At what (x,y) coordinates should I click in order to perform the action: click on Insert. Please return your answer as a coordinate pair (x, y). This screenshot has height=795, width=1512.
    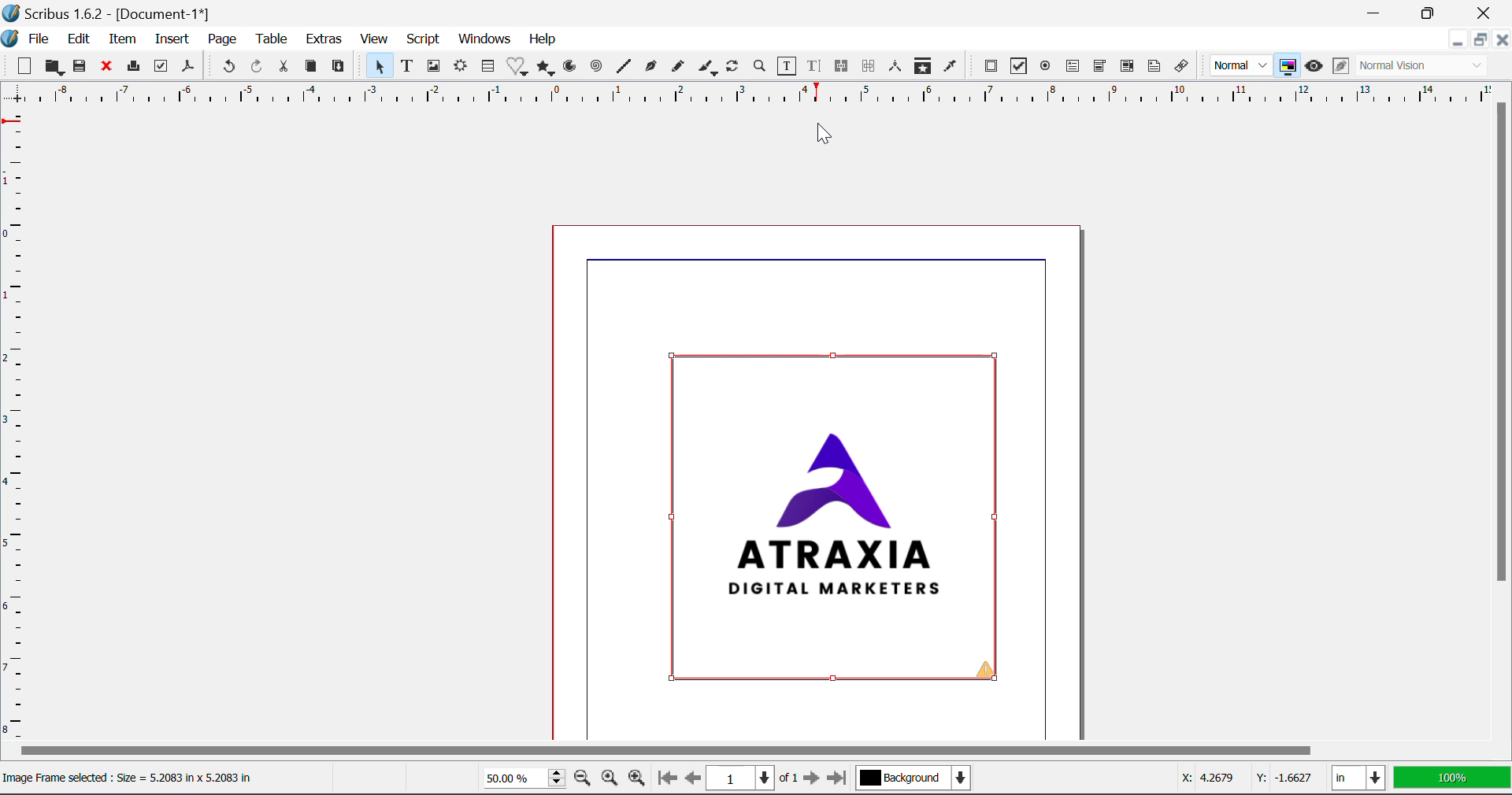
    Looking at the image, I should click on (173, 40).